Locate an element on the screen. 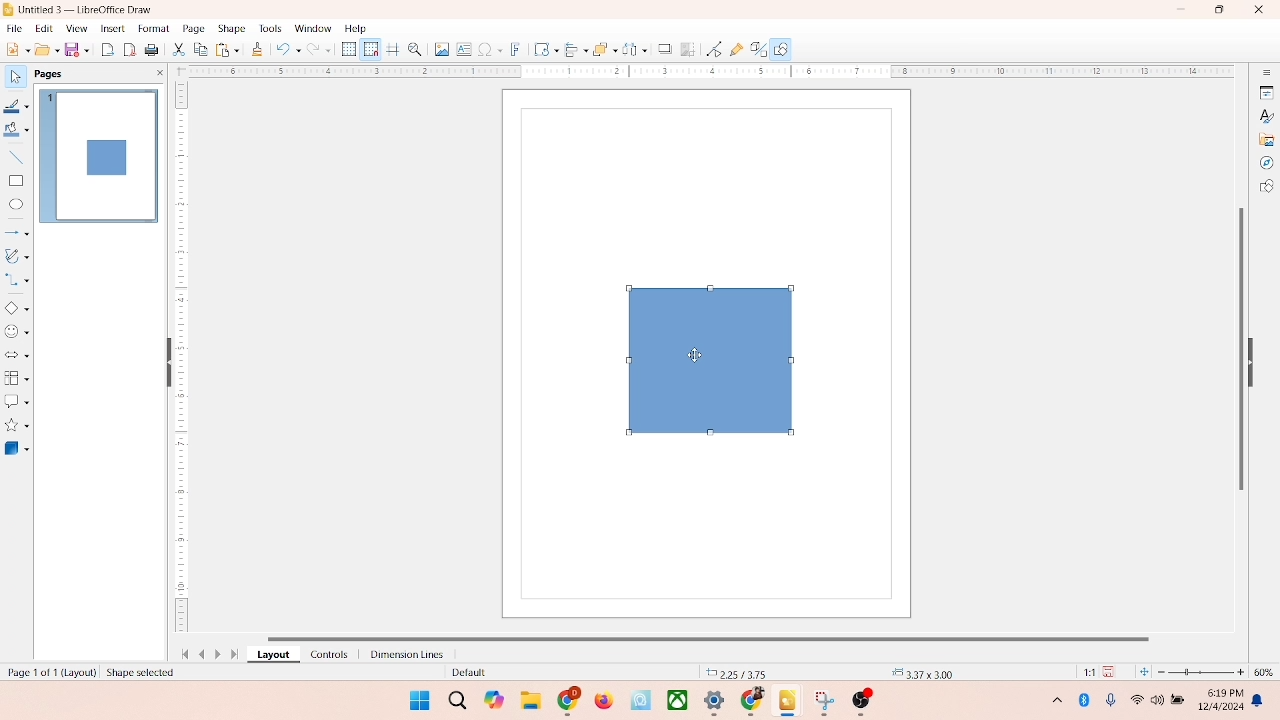 This screenshot has width=1280, height=720. draw function is located at coordinates (783, 49).